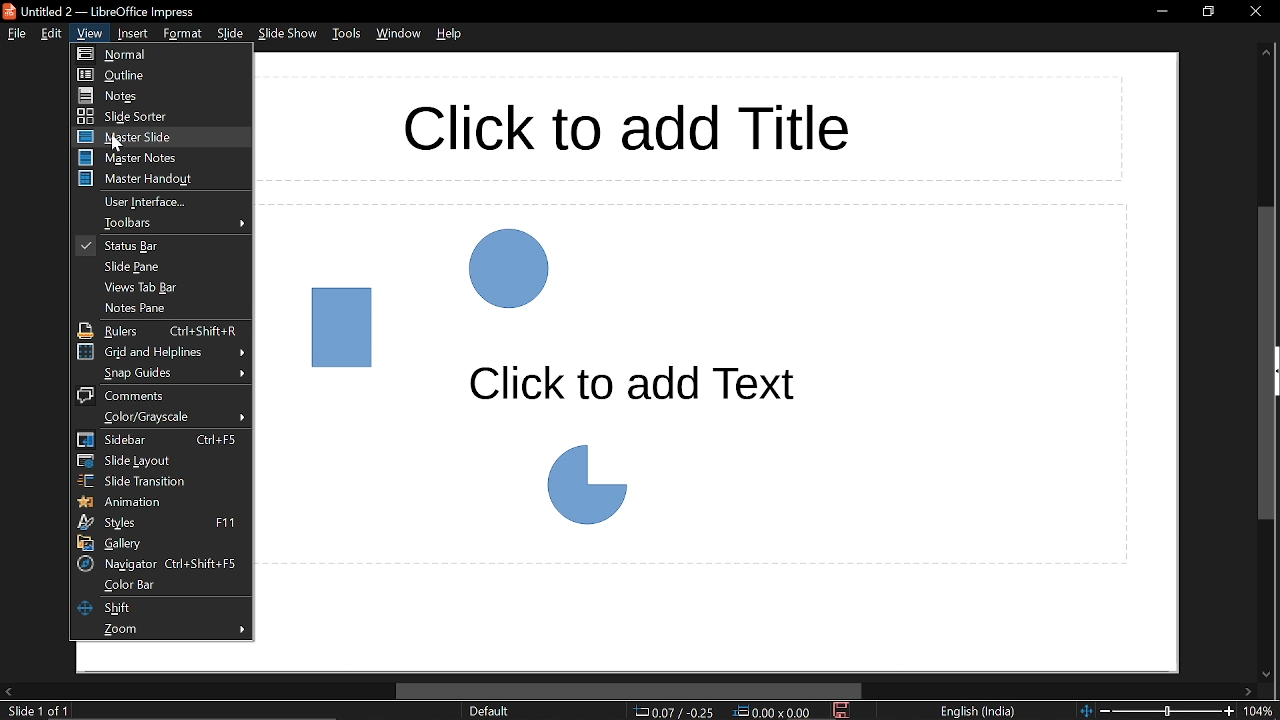 This screenshot has height=720, width=1280. What do you see at coordinates (157, 522) in the screenshot?
I see `Styles` at bounding box center [157, 522].